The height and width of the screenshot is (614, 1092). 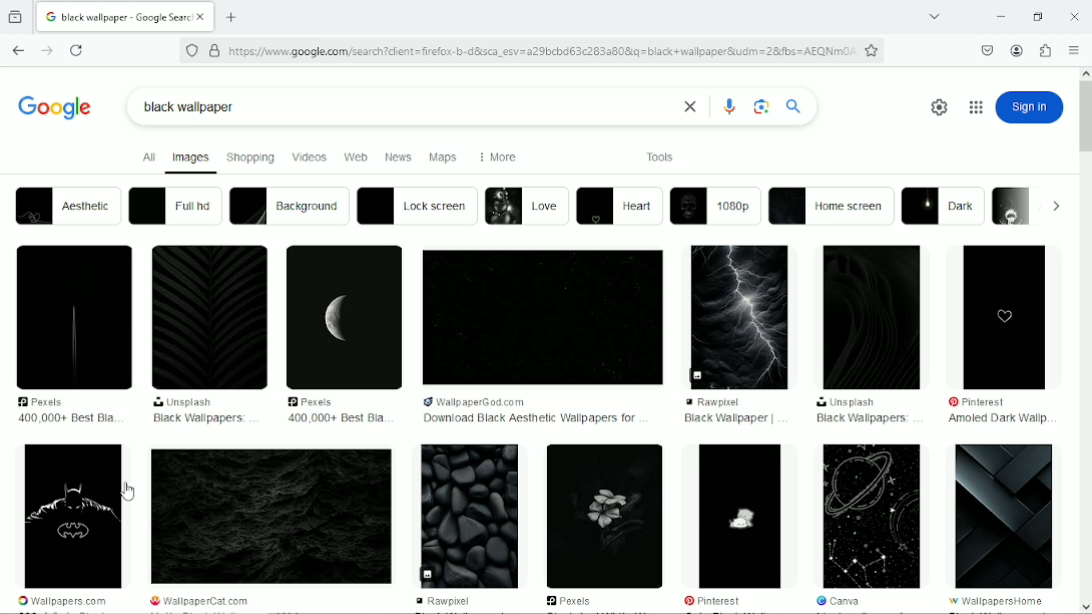 I want to click on close, so click(x=204, y=18).